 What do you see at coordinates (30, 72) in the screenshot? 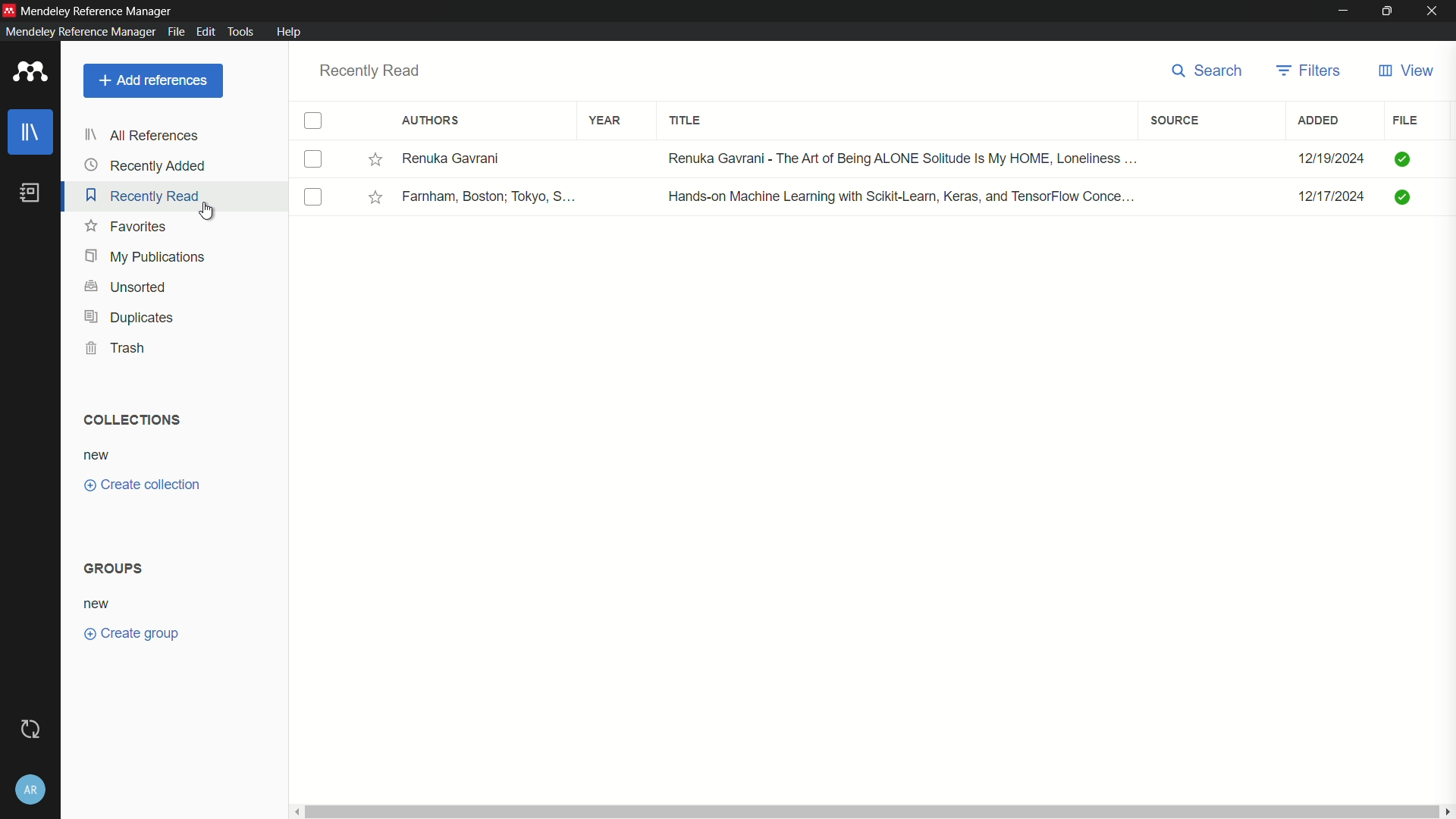
I see `app icon` at bounding box center [30, 72].